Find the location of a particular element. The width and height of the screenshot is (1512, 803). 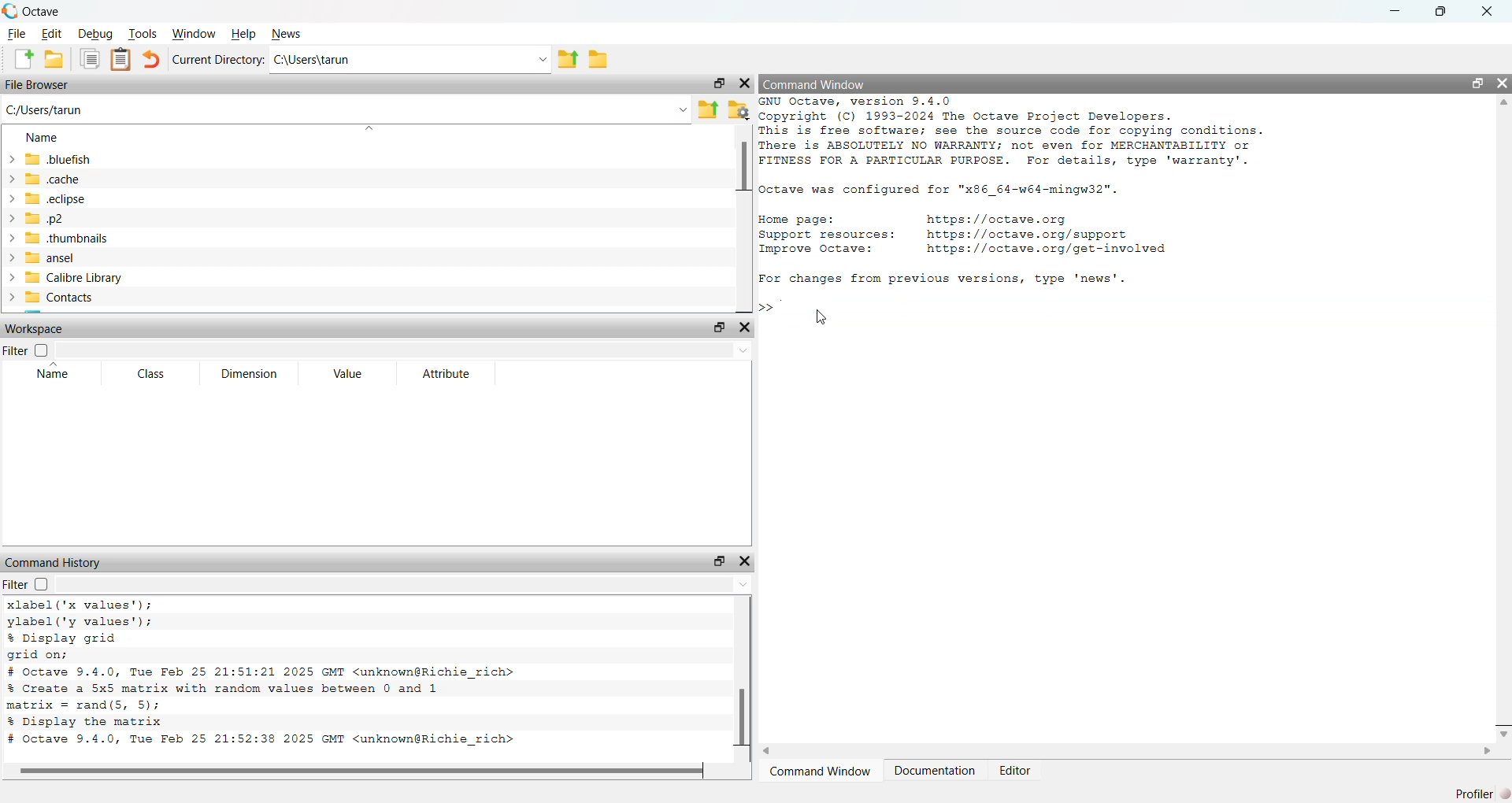

add is located at coordinates (20, 60).